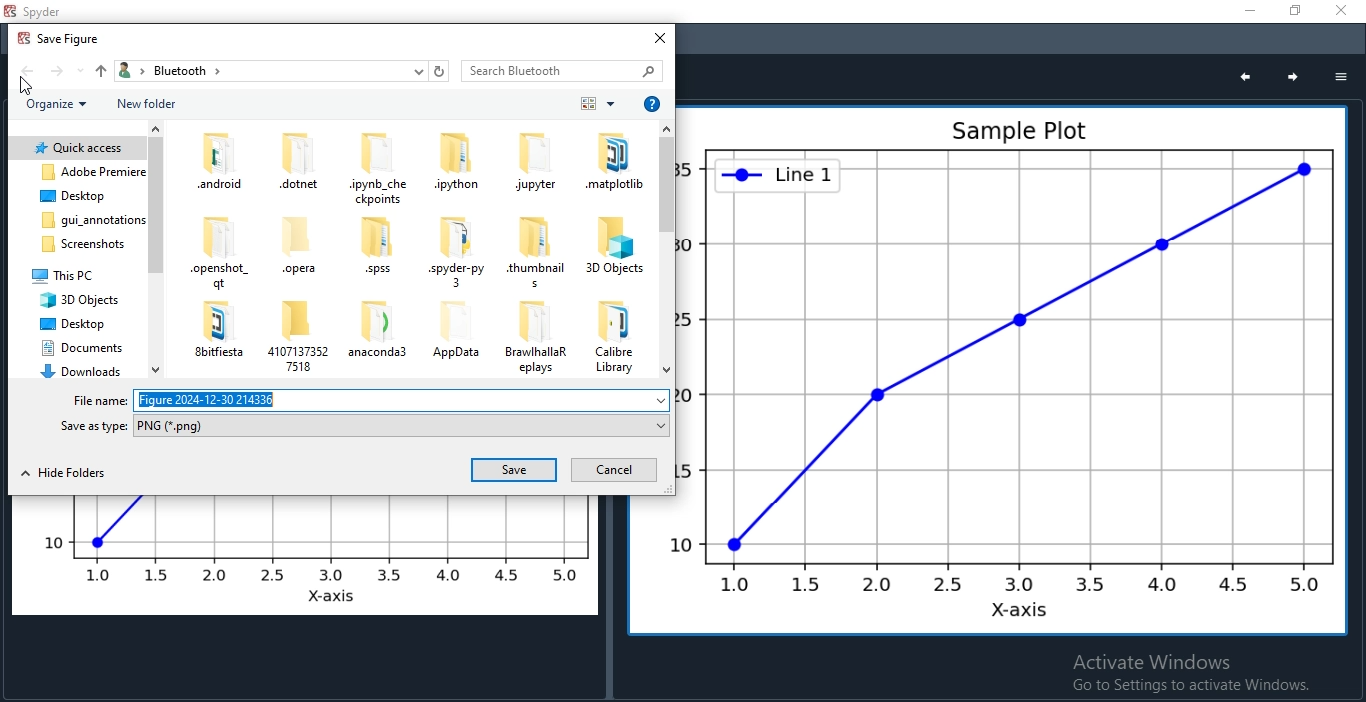 This screenshot has height=702, width=1366. I want to click on file name, so click(362, 400).